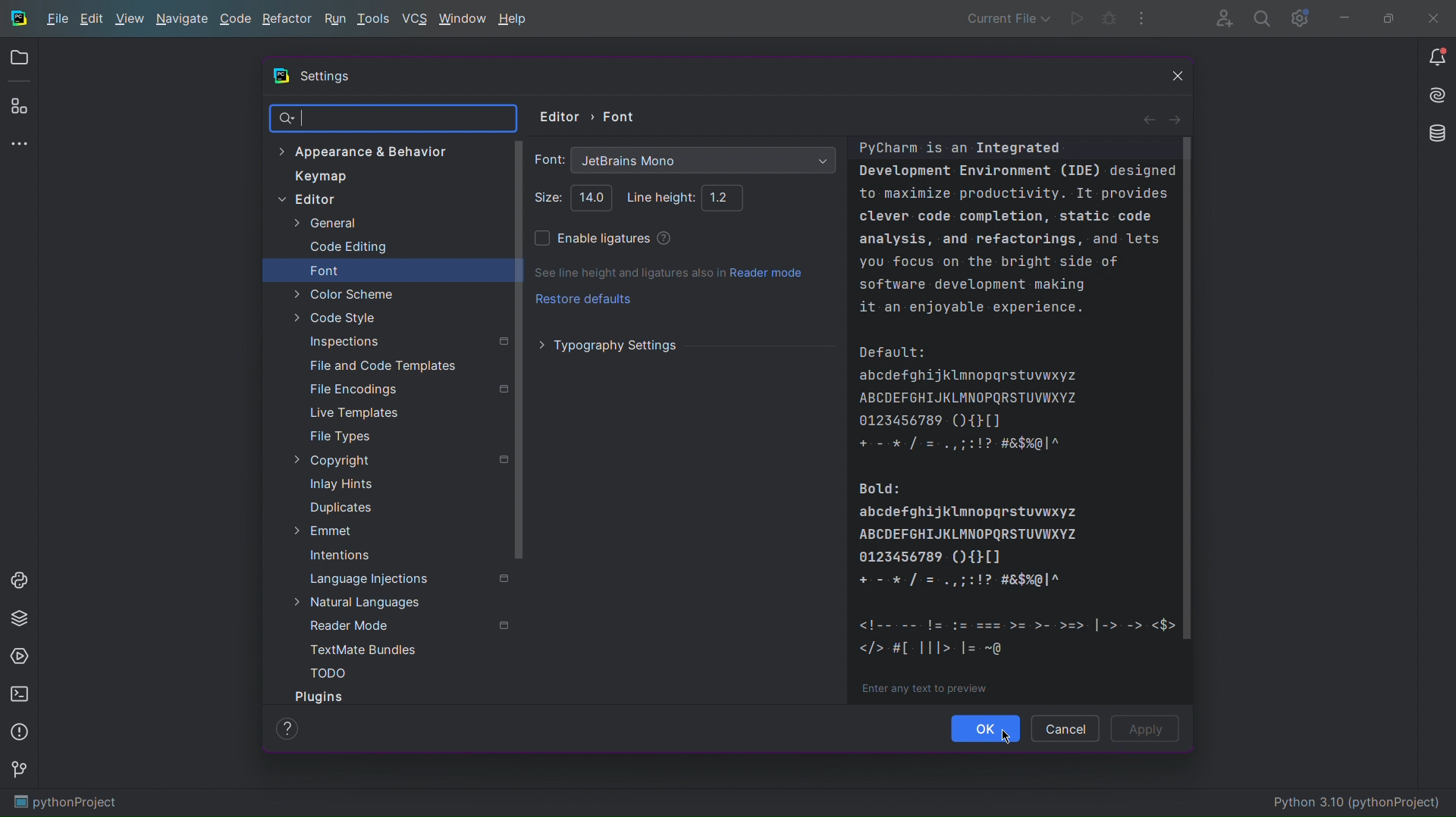  I want to click on Enable ligatures, so click(591, 239).